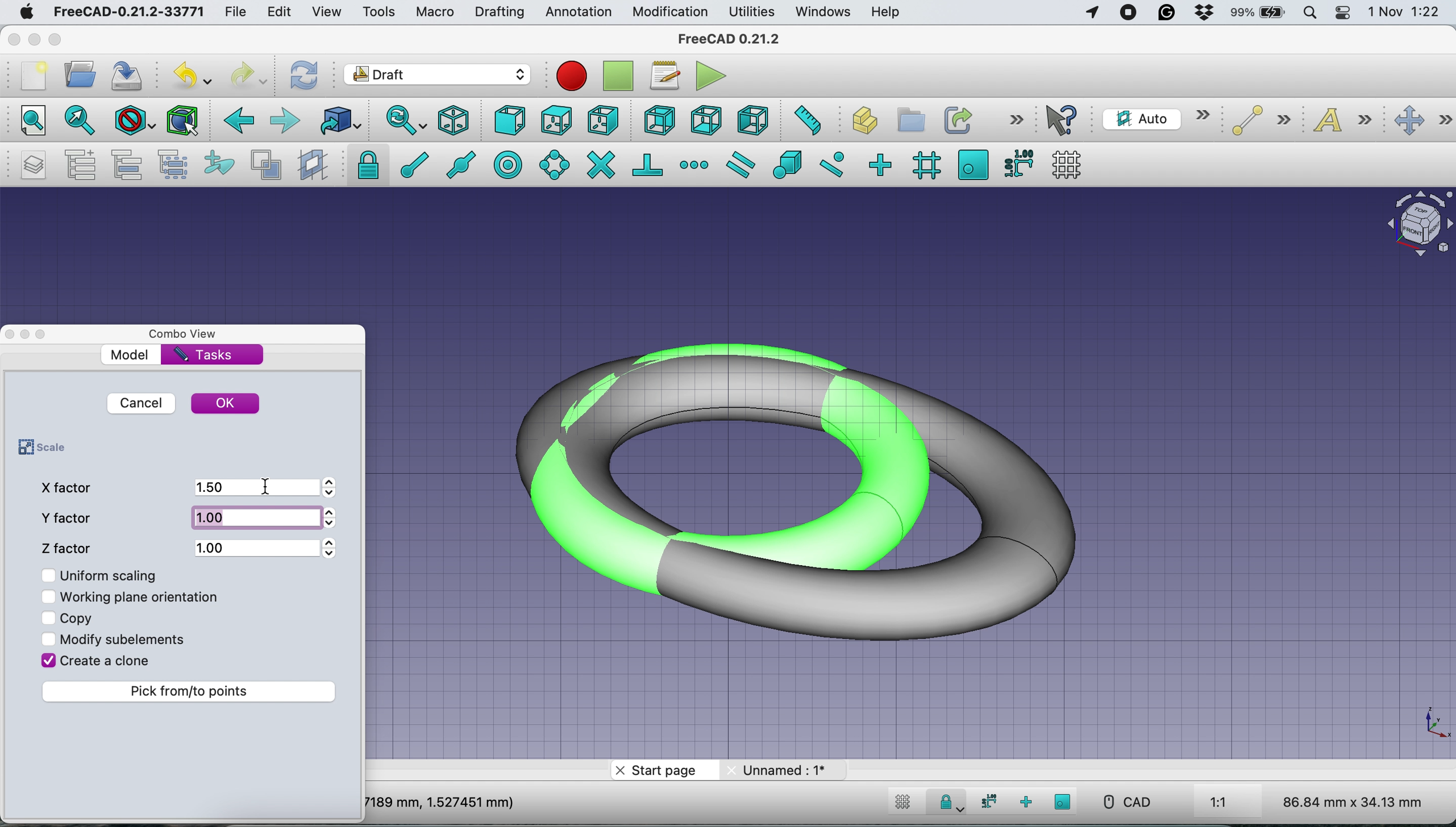  What do you see at coordinates (24, 14) in the screenshot?
I see `system logo` at bounding box center [24, 14].